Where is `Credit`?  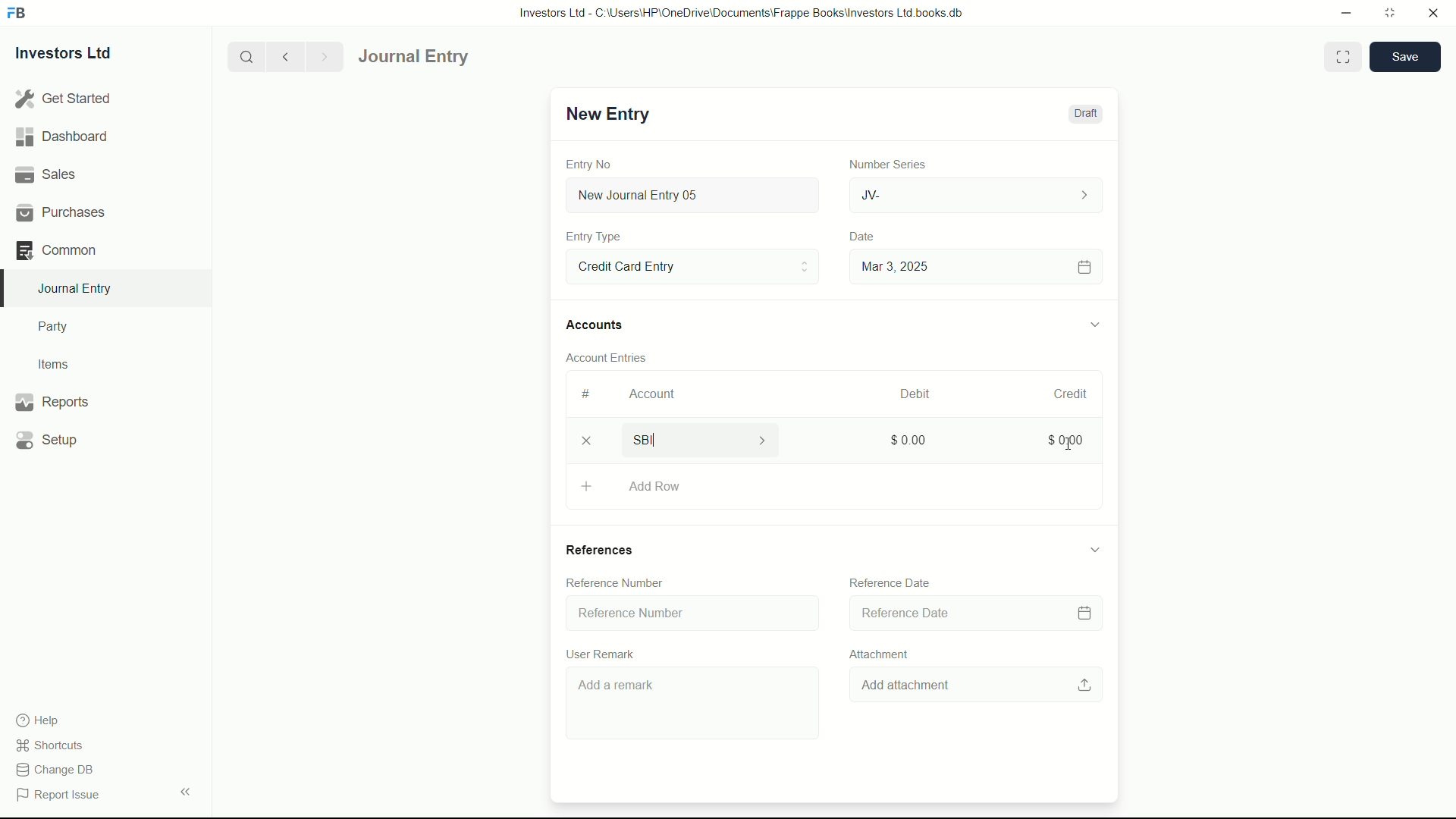
Credit is located at coordinates (1064, 394).